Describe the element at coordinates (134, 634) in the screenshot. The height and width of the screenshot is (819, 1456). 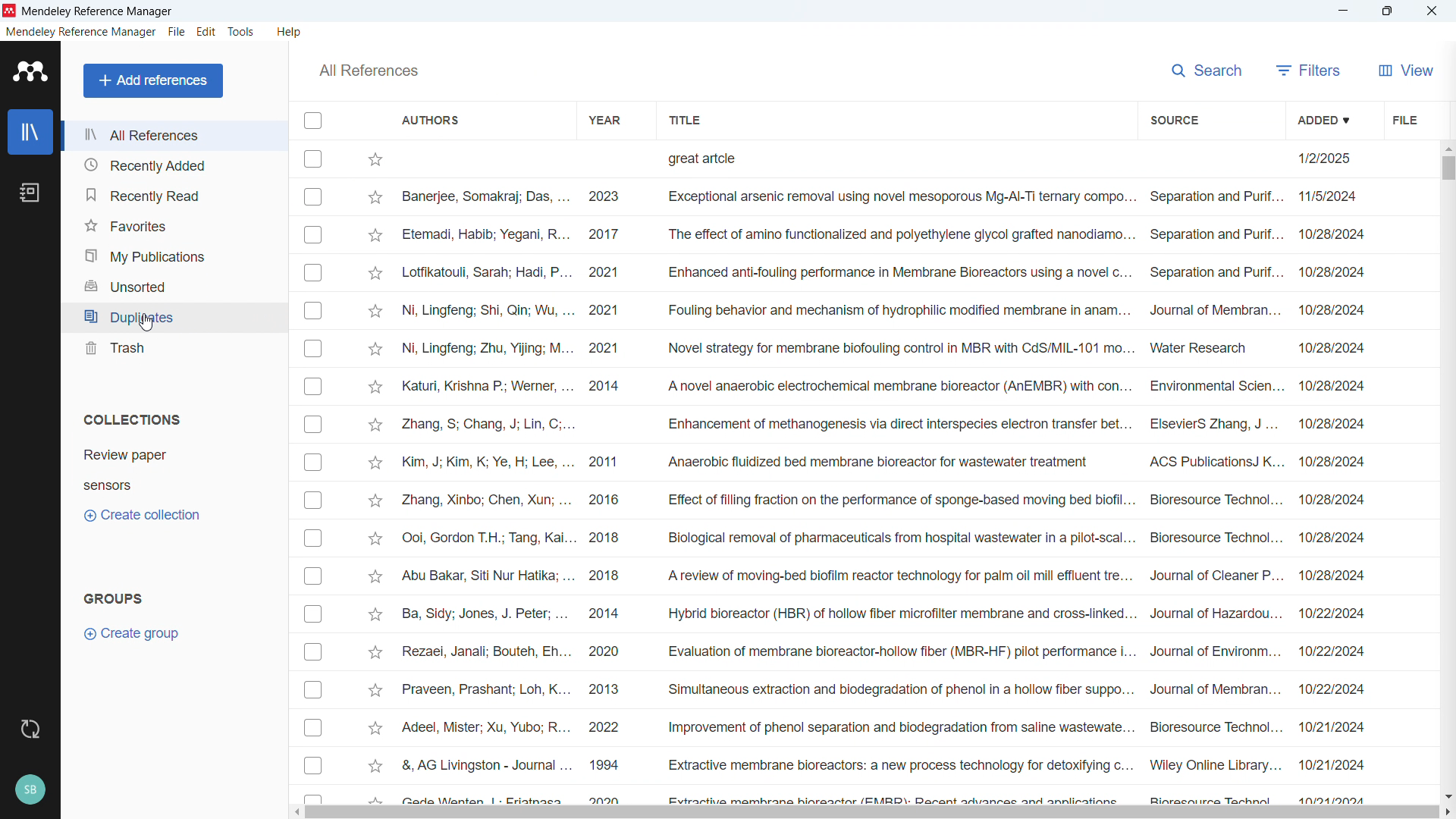
I see `Create group ` at that location.